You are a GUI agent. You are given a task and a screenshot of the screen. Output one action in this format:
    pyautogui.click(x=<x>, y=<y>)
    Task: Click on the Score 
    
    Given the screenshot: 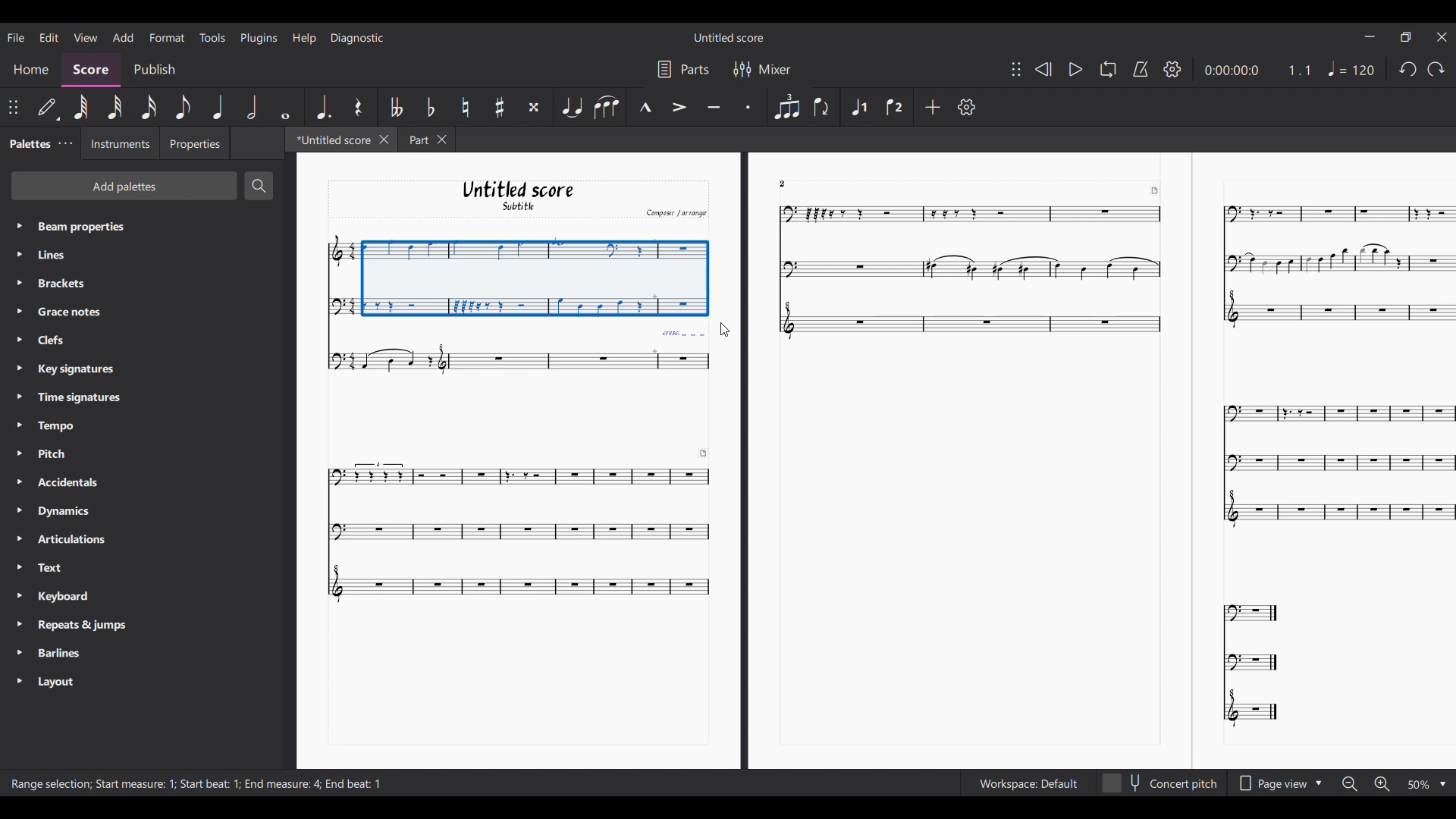 What is the action you would take?
    pyautogui.click(x=92, y=71)
    